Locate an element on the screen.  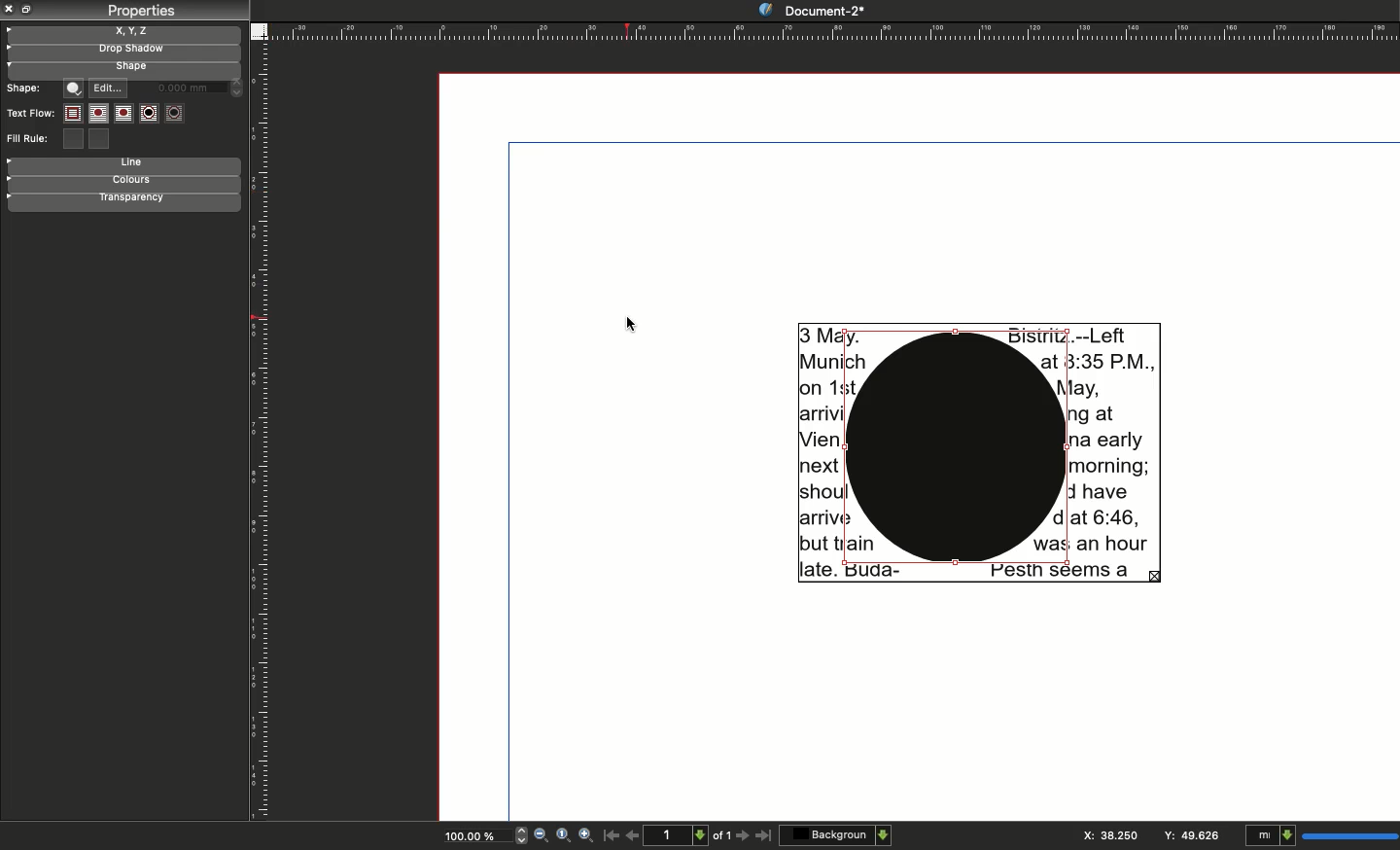
Units is located at coordinates (1322, 833).